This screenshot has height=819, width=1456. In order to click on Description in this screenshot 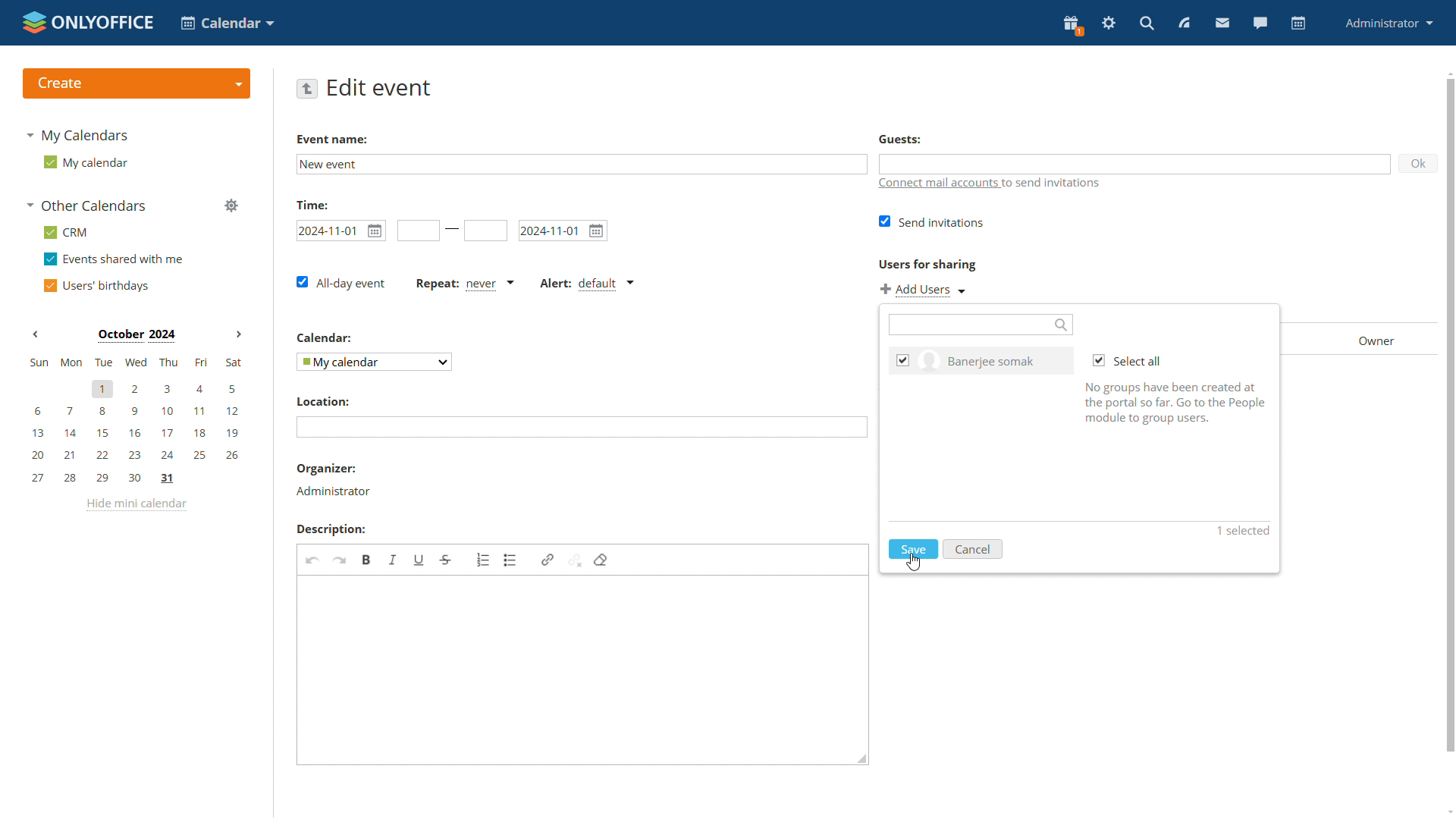, I will do `click(330, 530)`.